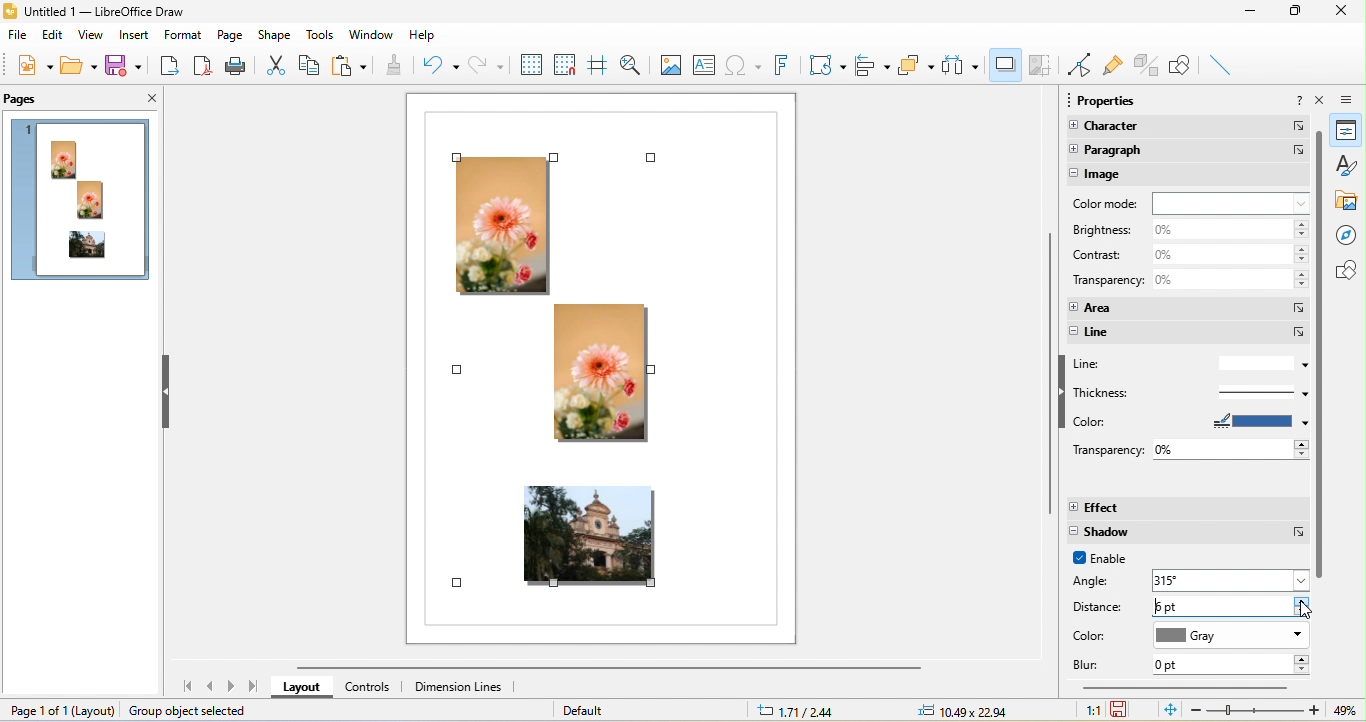 The width and height of the screenshot is (1366, 722). What do you see at coordinates (395, 65) in the screenshot?
I see `clone formatting` at bounding box center [395, 65].